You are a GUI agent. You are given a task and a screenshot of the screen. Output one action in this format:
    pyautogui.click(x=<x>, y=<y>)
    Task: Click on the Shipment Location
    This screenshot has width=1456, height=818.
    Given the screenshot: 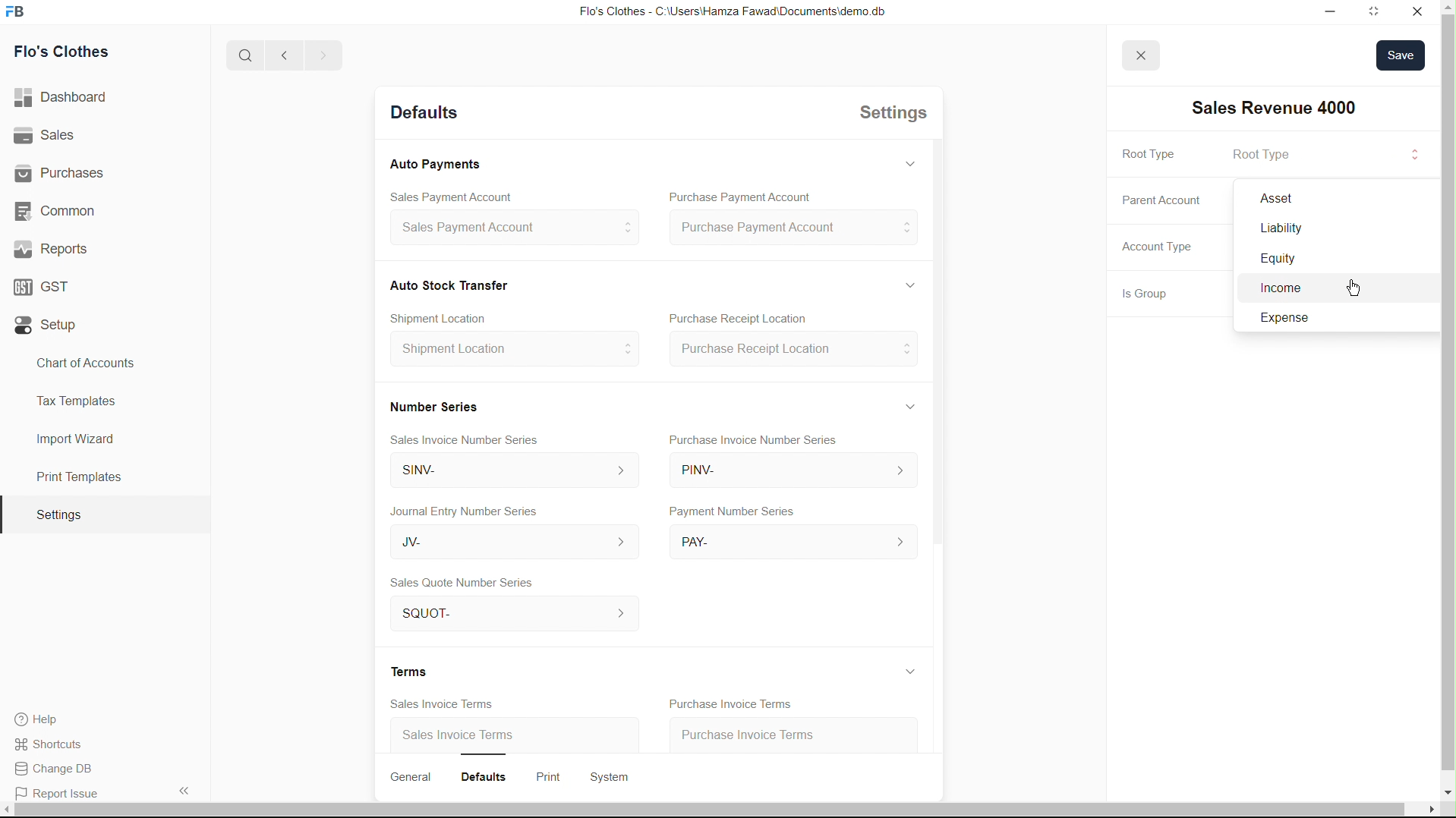 What is the action you would take?
    pyautogui.click(x=521, y=354)
    